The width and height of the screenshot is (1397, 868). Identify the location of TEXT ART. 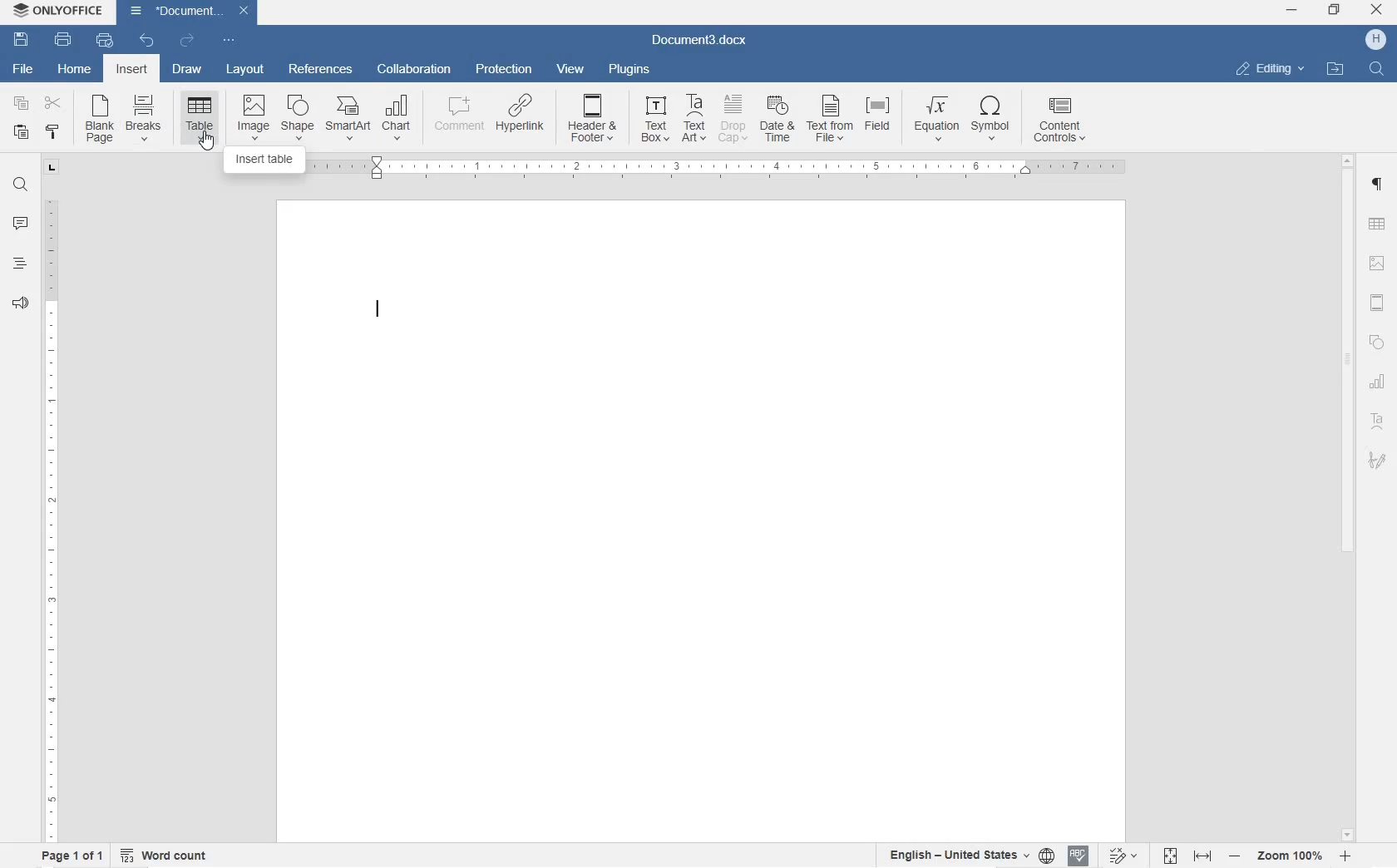
(1378, 423).